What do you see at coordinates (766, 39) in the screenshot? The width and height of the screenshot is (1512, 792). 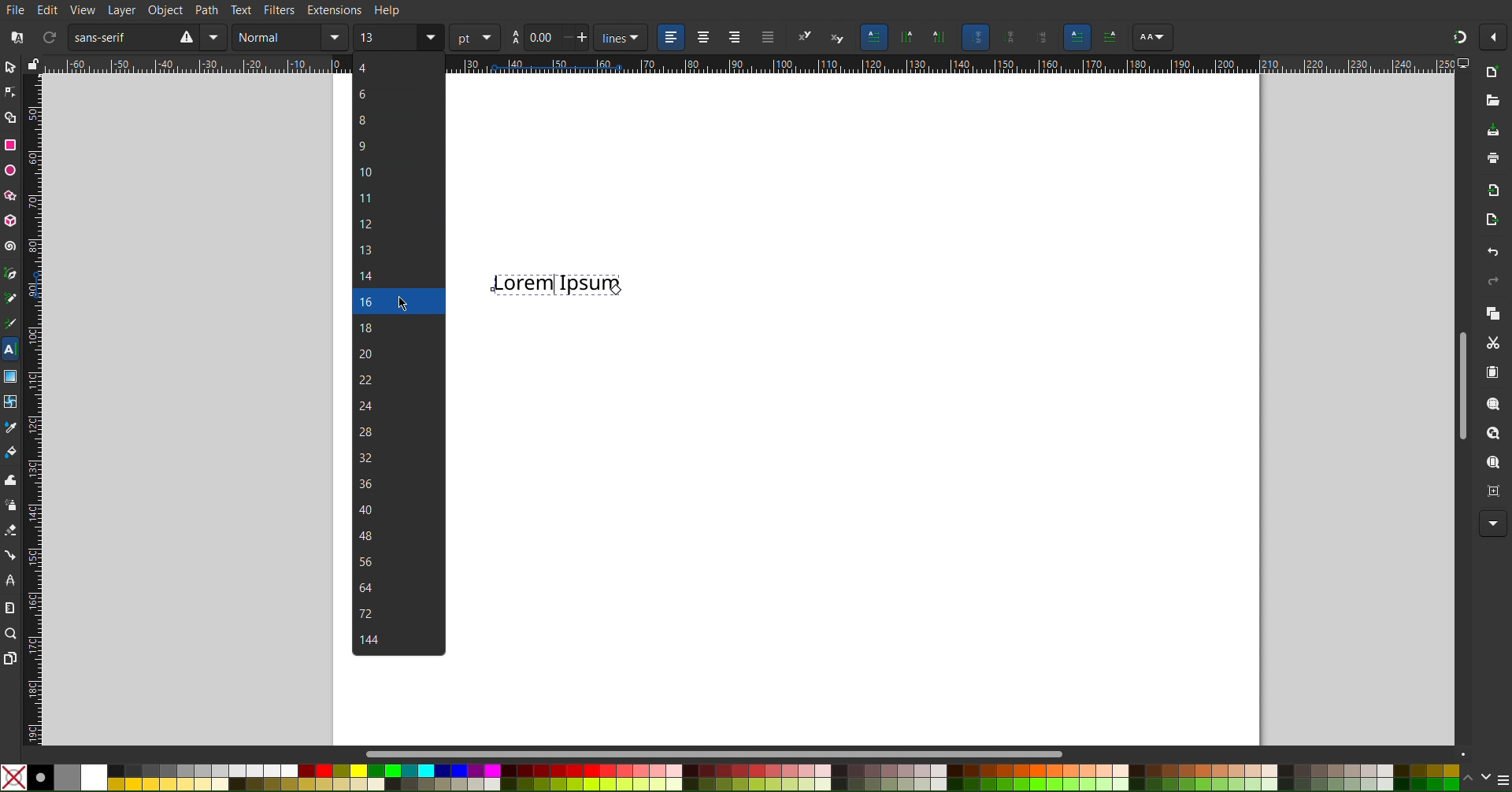 I see `align` at bounding box center [766, 39].